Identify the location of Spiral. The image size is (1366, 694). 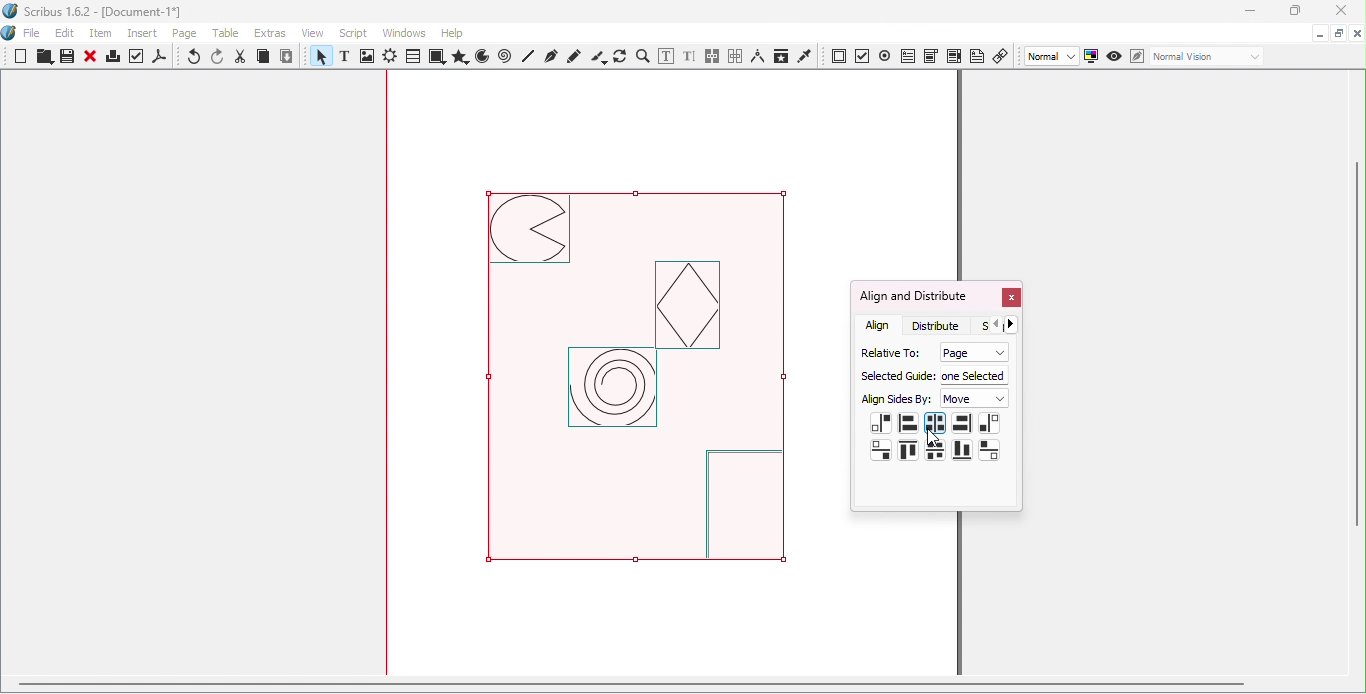
(507, 57).